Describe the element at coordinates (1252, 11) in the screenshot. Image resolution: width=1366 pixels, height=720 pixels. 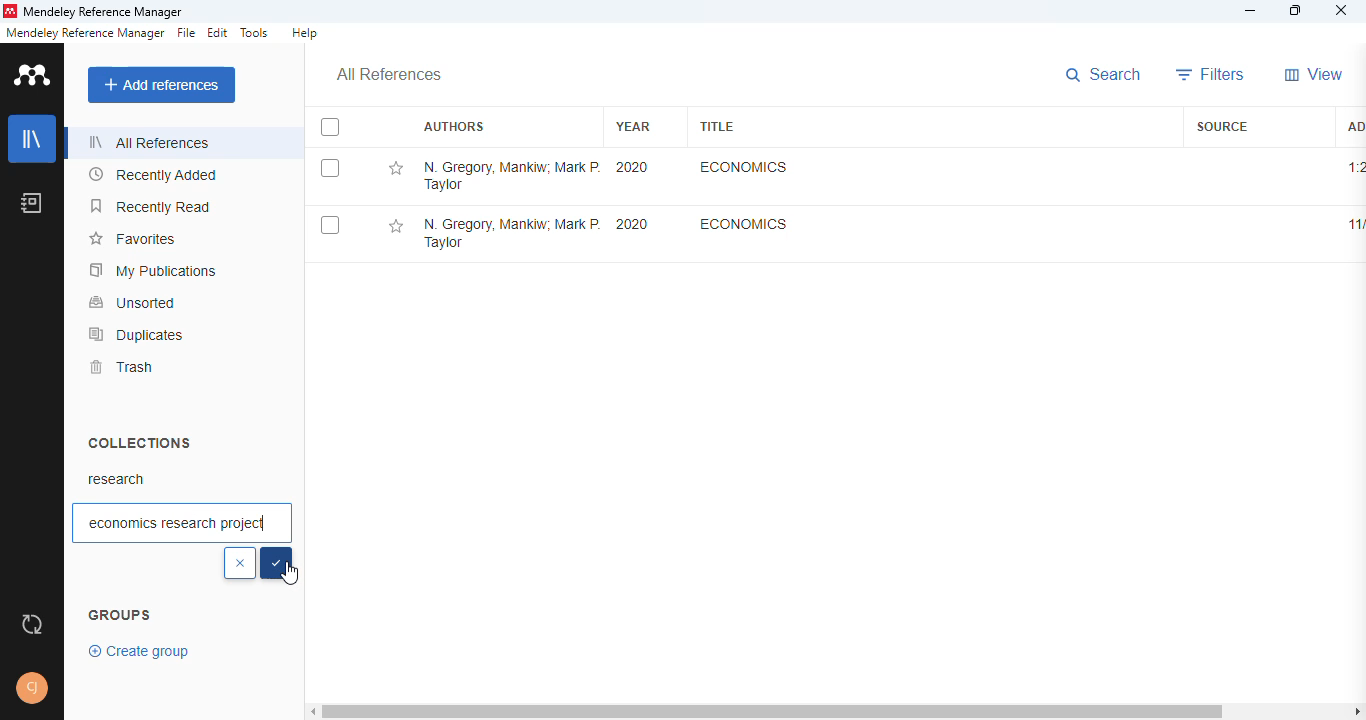
I see `minimize` at that location.